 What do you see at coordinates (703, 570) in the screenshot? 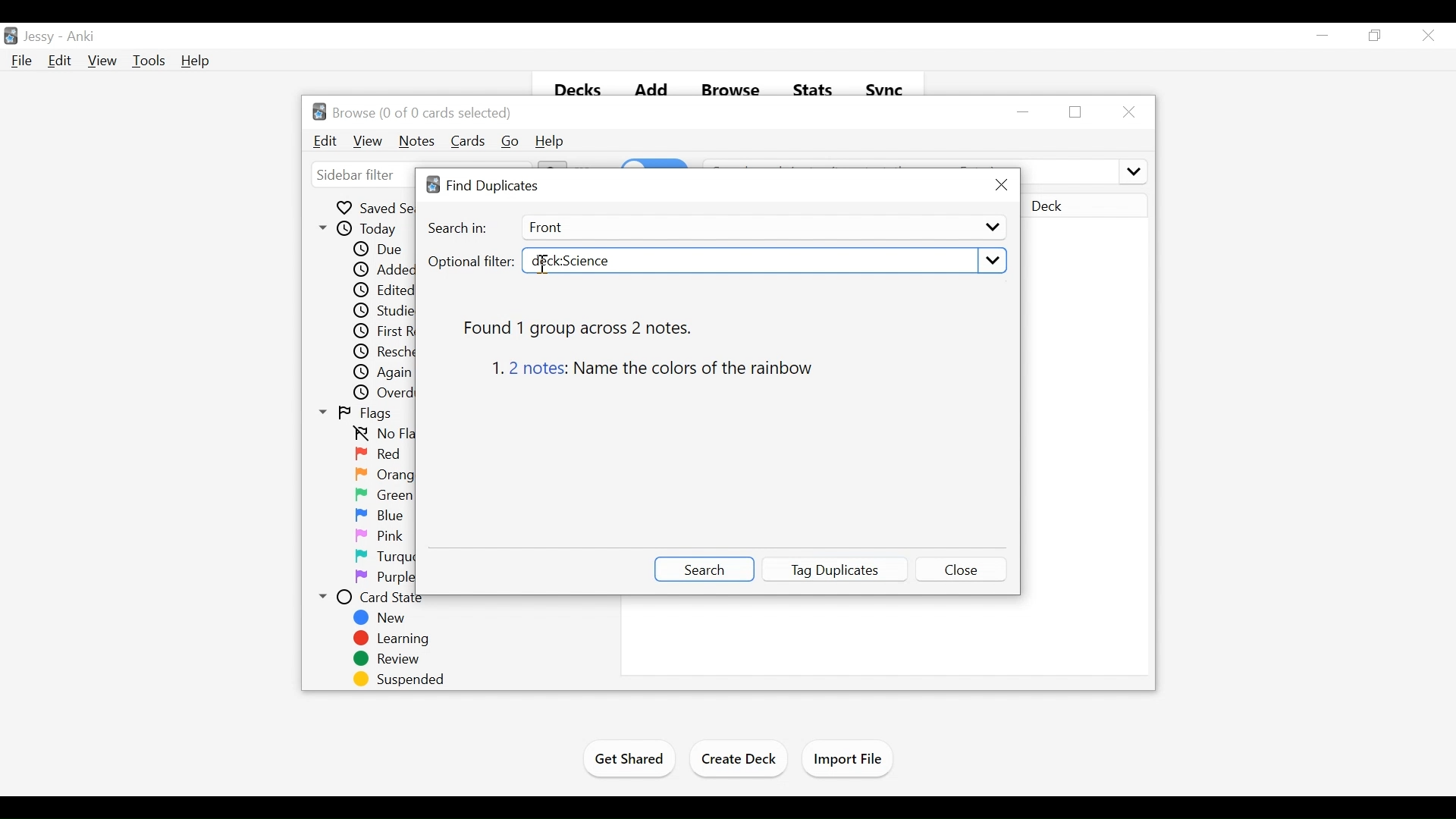
I see `Search` at bounding box center [703, 570].